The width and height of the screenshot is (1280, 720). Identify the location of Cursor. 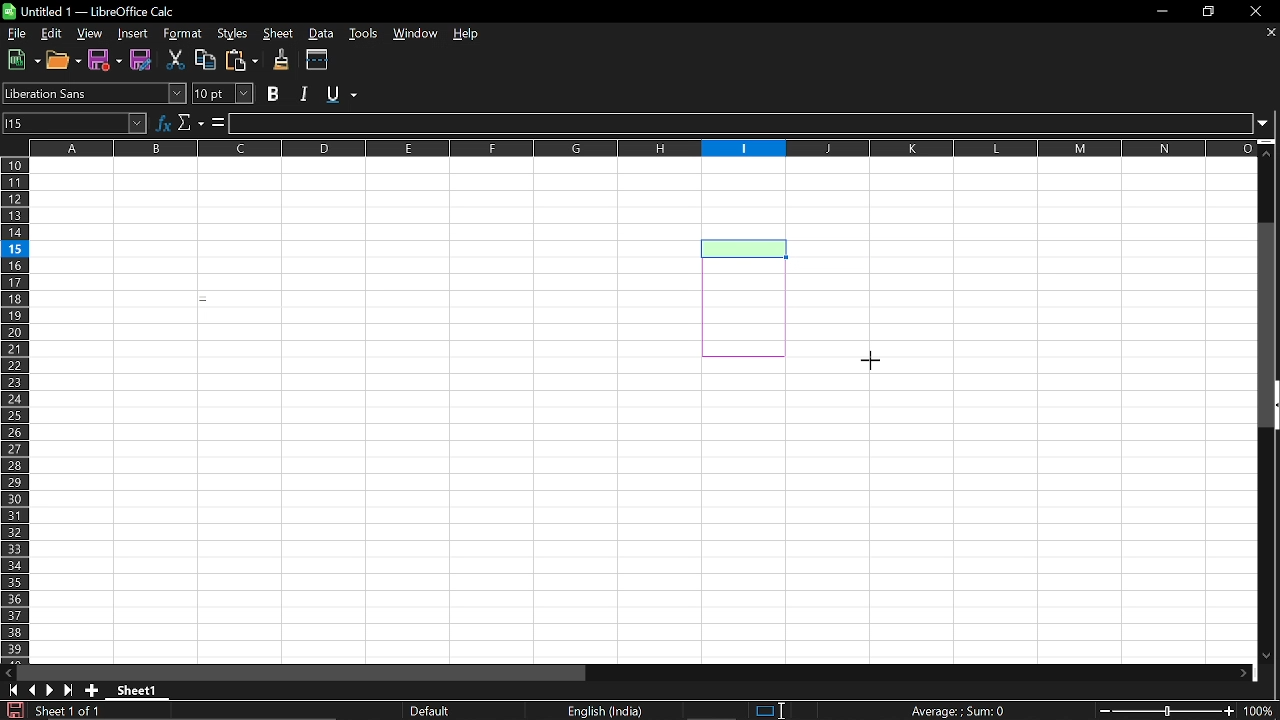
(870, 364).